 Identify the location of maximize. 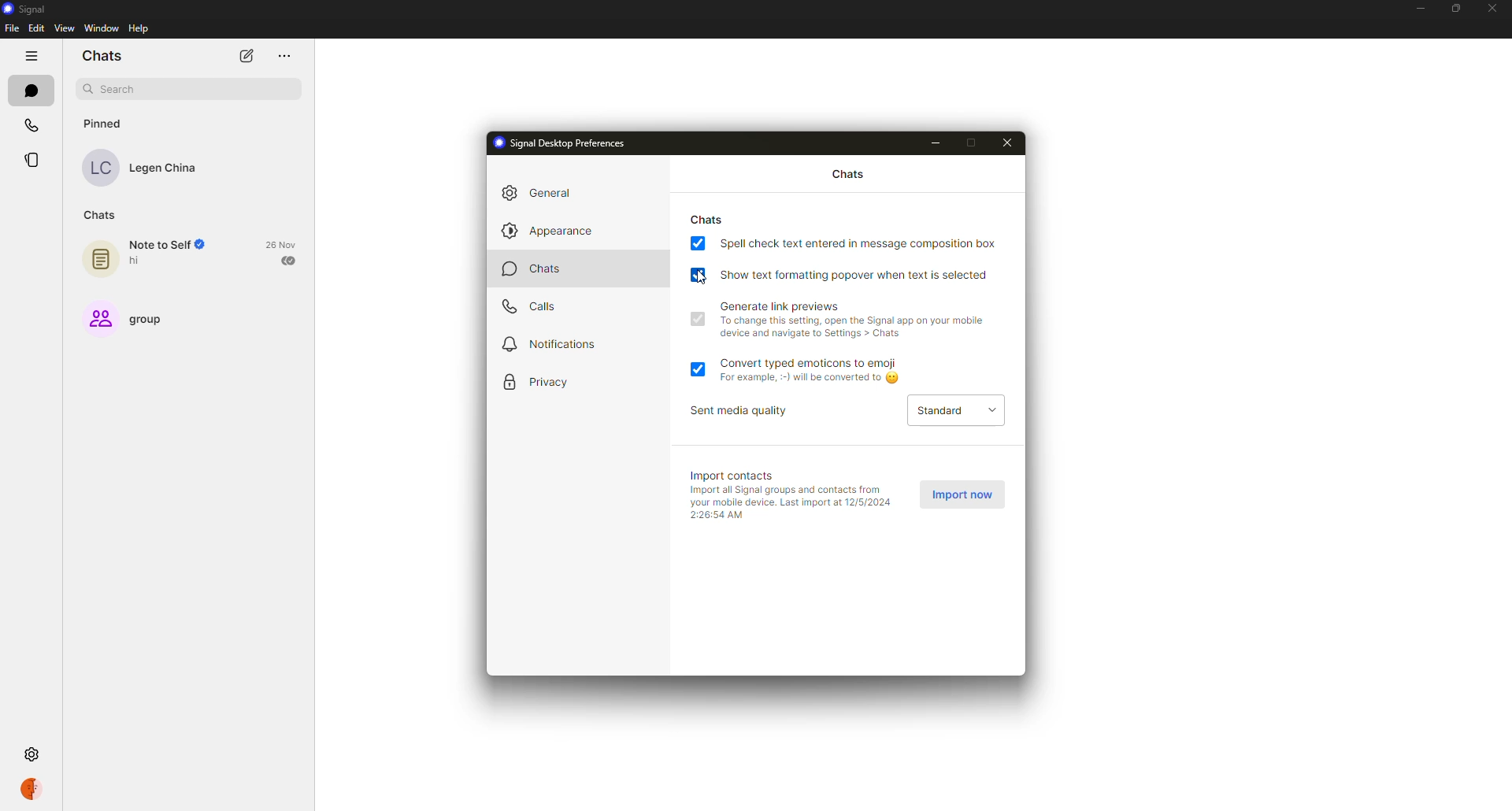
(974, 143).